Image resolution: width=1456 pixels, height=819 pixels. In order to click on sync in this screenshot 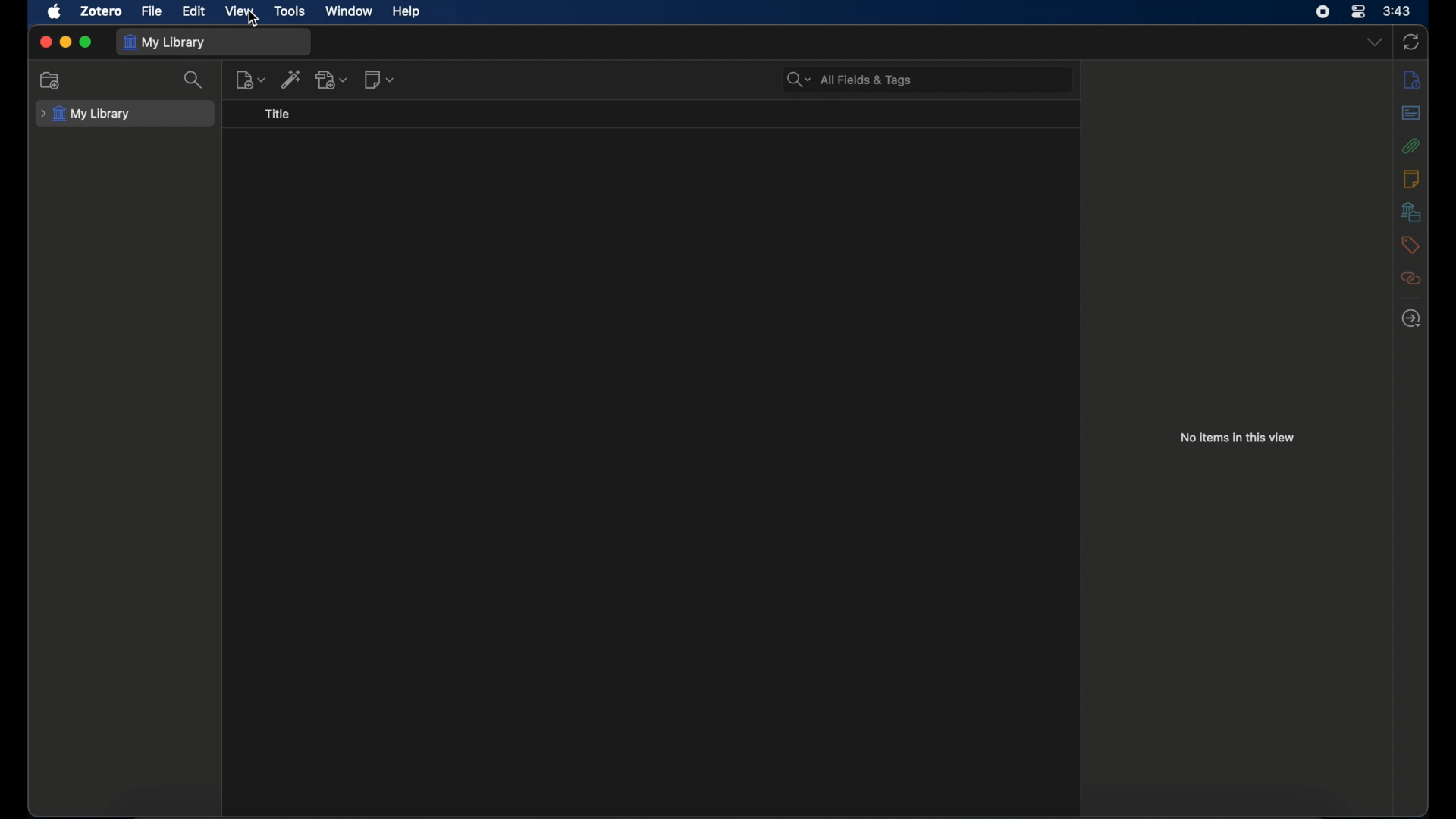, I will do `click(1411, 42)`.